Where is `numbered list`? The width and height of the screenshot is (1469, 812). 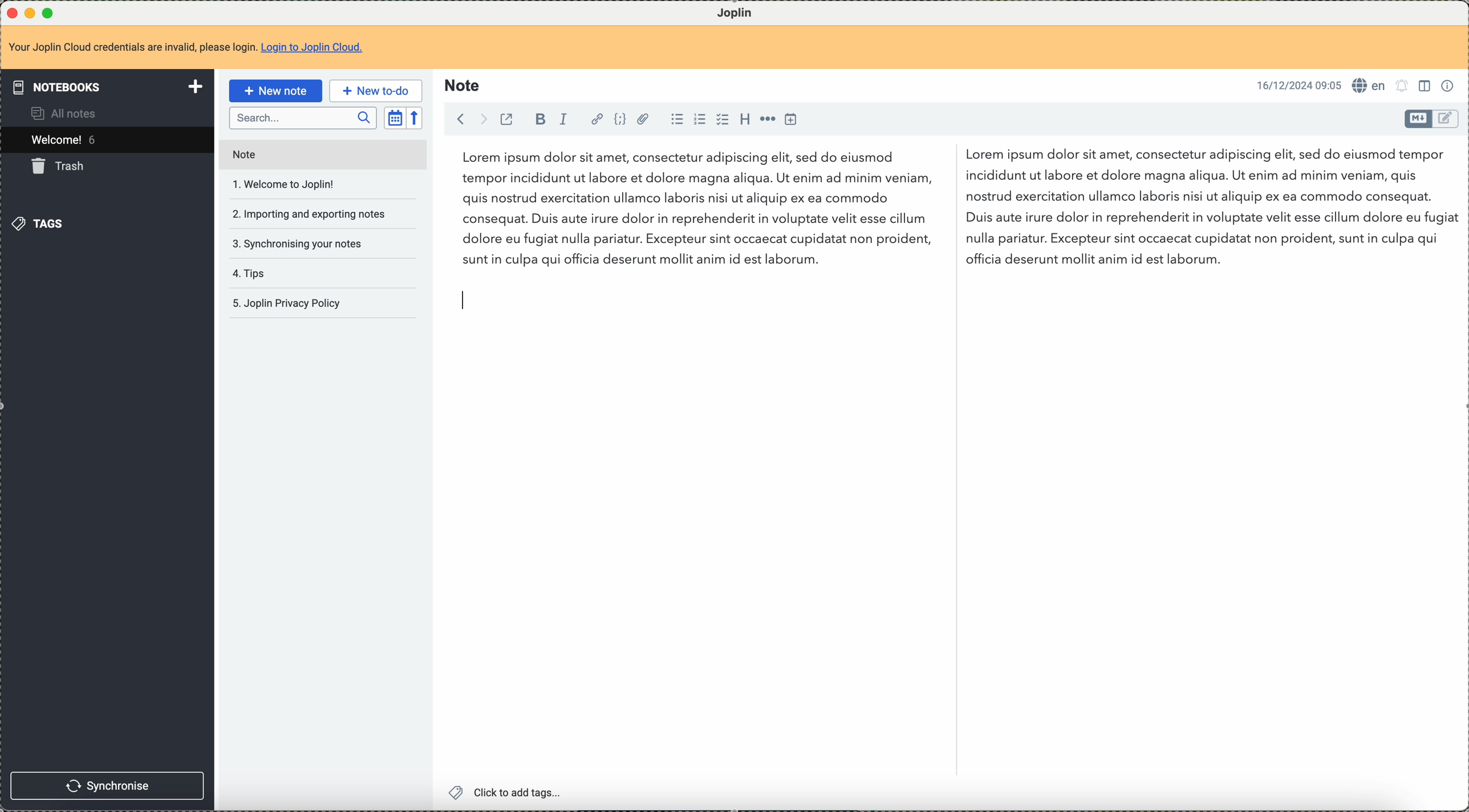
numbered list is located at coordinates (700, 120).